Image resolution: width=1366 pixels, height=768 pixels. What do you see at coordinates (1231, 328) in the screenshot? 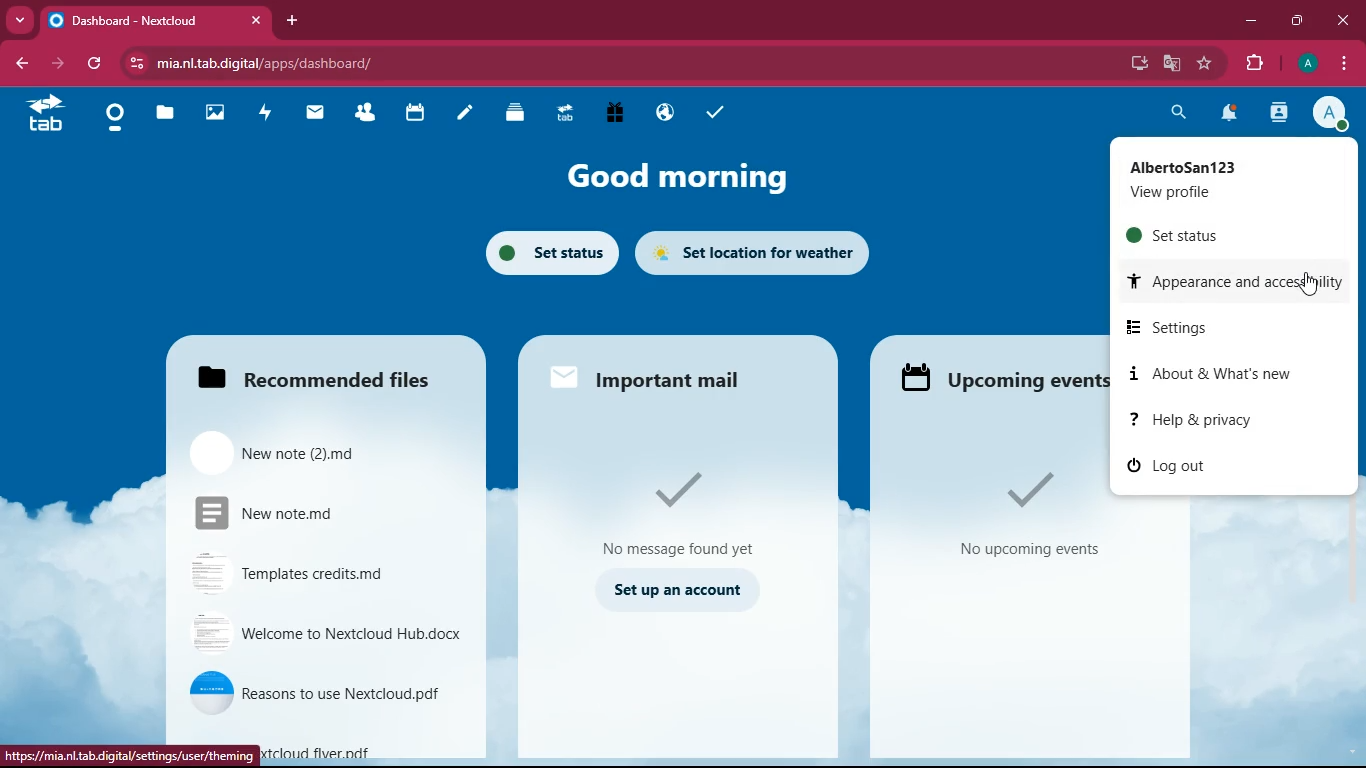
I see `settings` at bounding box center [1231, 328].